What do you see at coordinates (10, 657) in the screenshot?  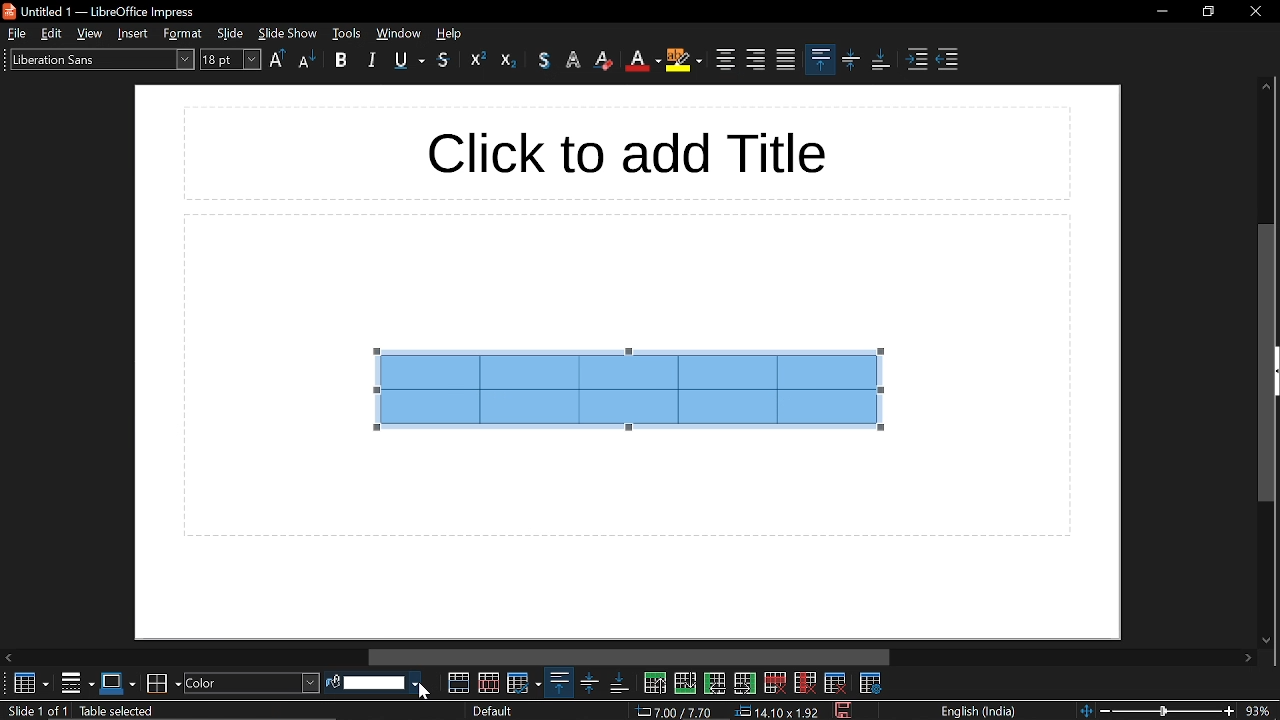 I see `Move left` at bounding box center [10, 657].